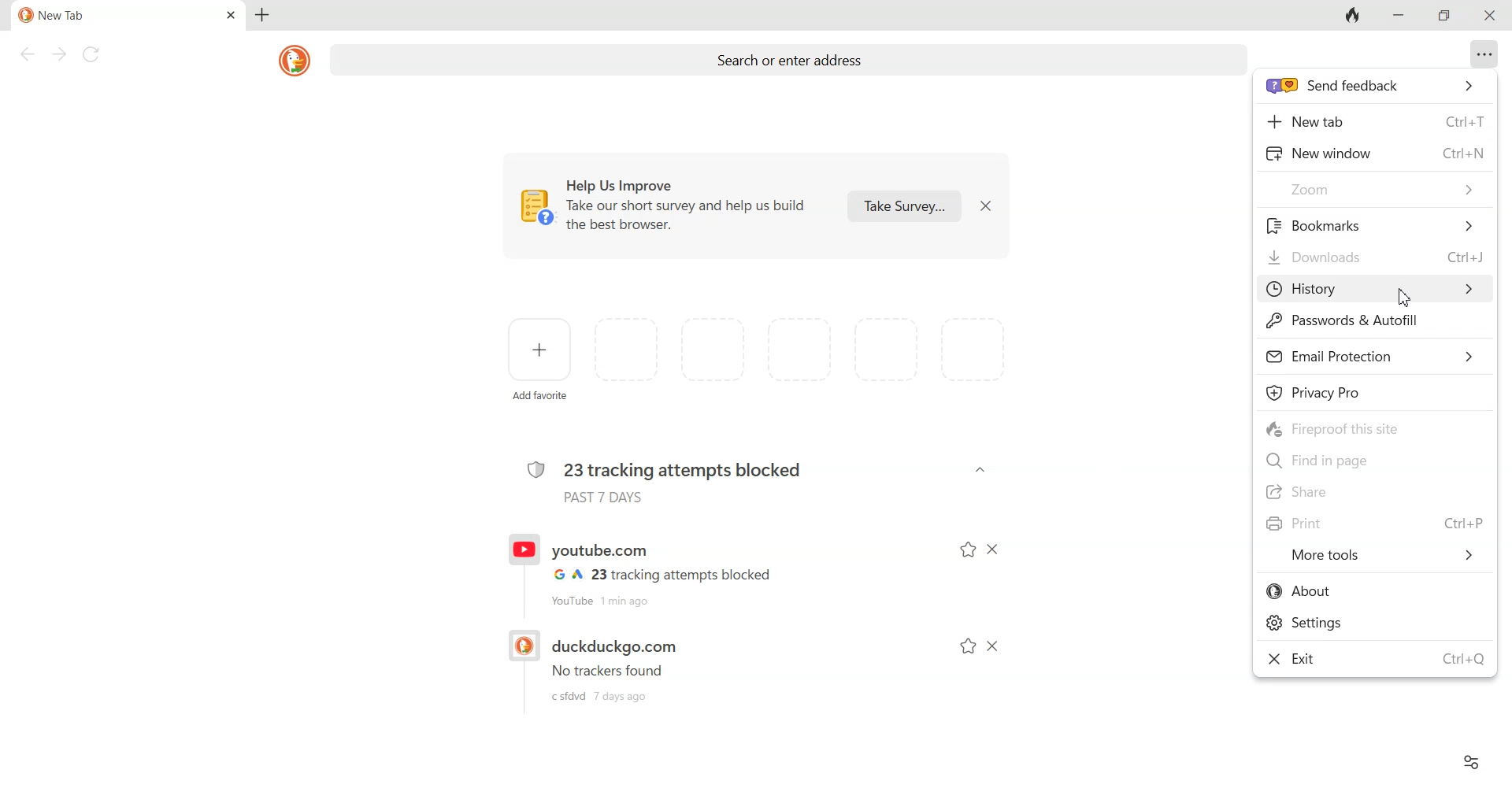 The height and width of the screenshot is (803, 1512). What do you see at coordinates (1376, 590) in the screenshot?
I see `About` at bounding box center [1376, 590].